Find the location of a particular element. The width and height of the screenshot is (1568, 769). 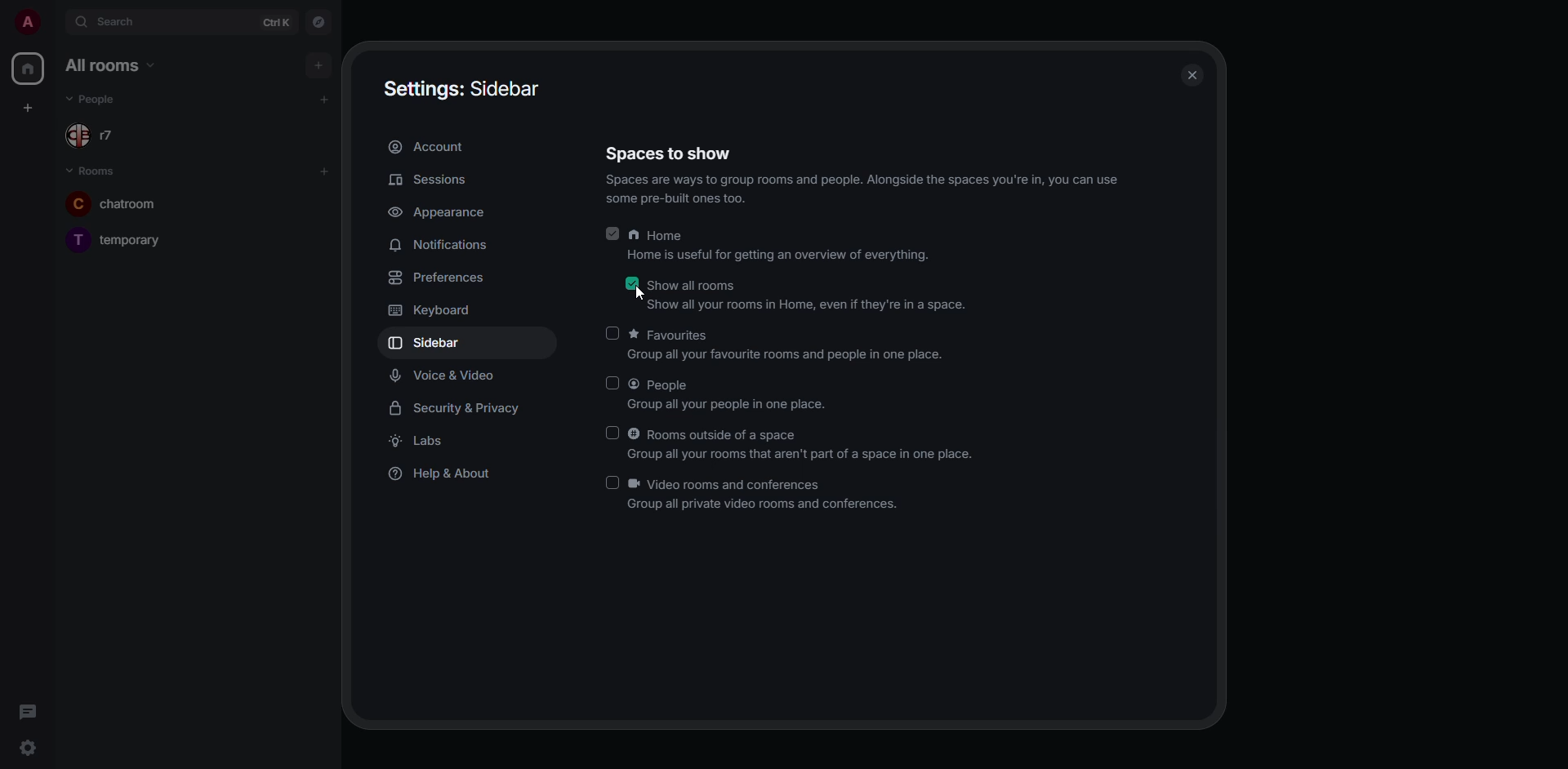

preferences is located at coordinates (437, 278).